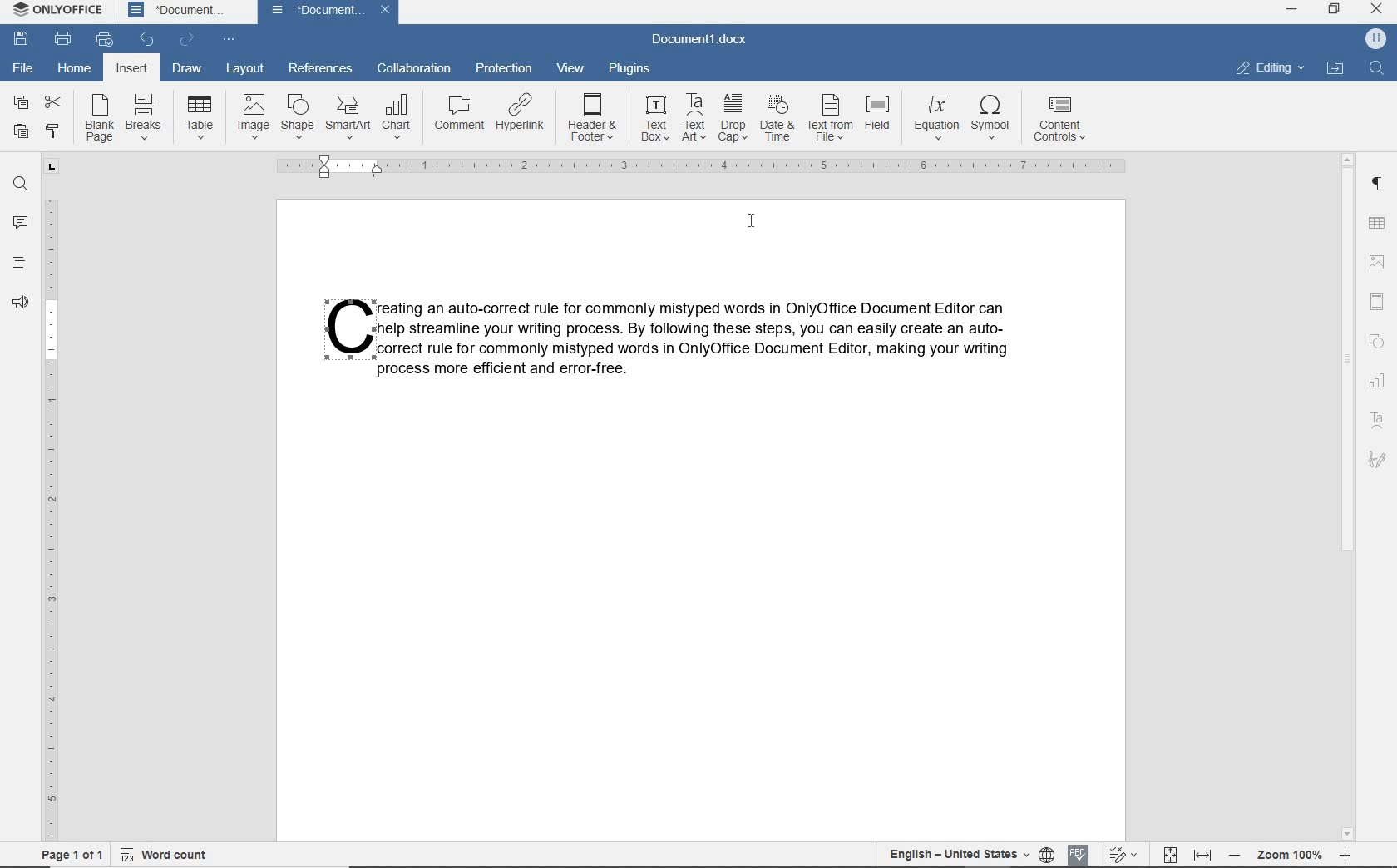 This screenshot has height=868, width=1397. Describe the element at coordinates (1378, 340) in the screenshot. I see `shape` at that location.